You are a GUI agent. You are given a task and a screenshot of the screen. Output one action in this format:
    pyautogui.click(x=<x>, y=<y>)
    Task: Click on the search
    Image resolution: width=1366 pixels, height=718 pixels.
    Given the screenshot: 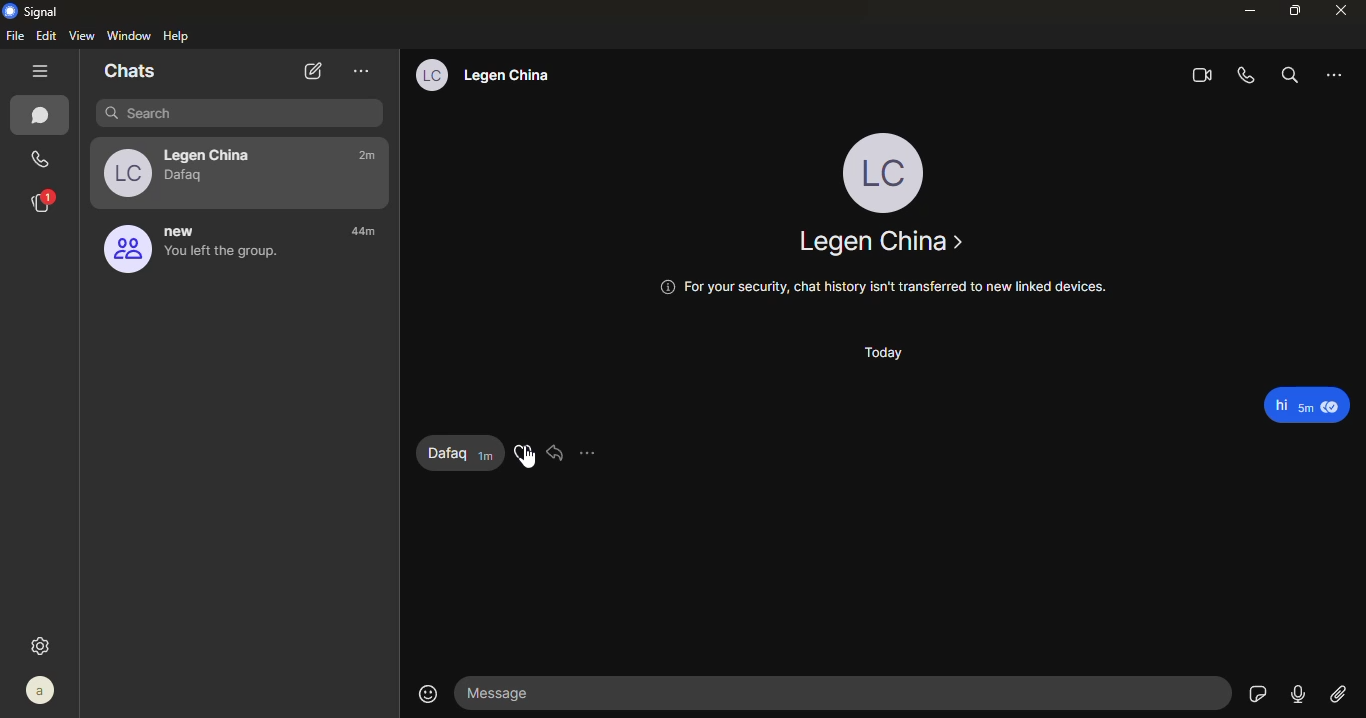 What is the action you would take?
    pyautogui.click(x=1287, y=75)
    